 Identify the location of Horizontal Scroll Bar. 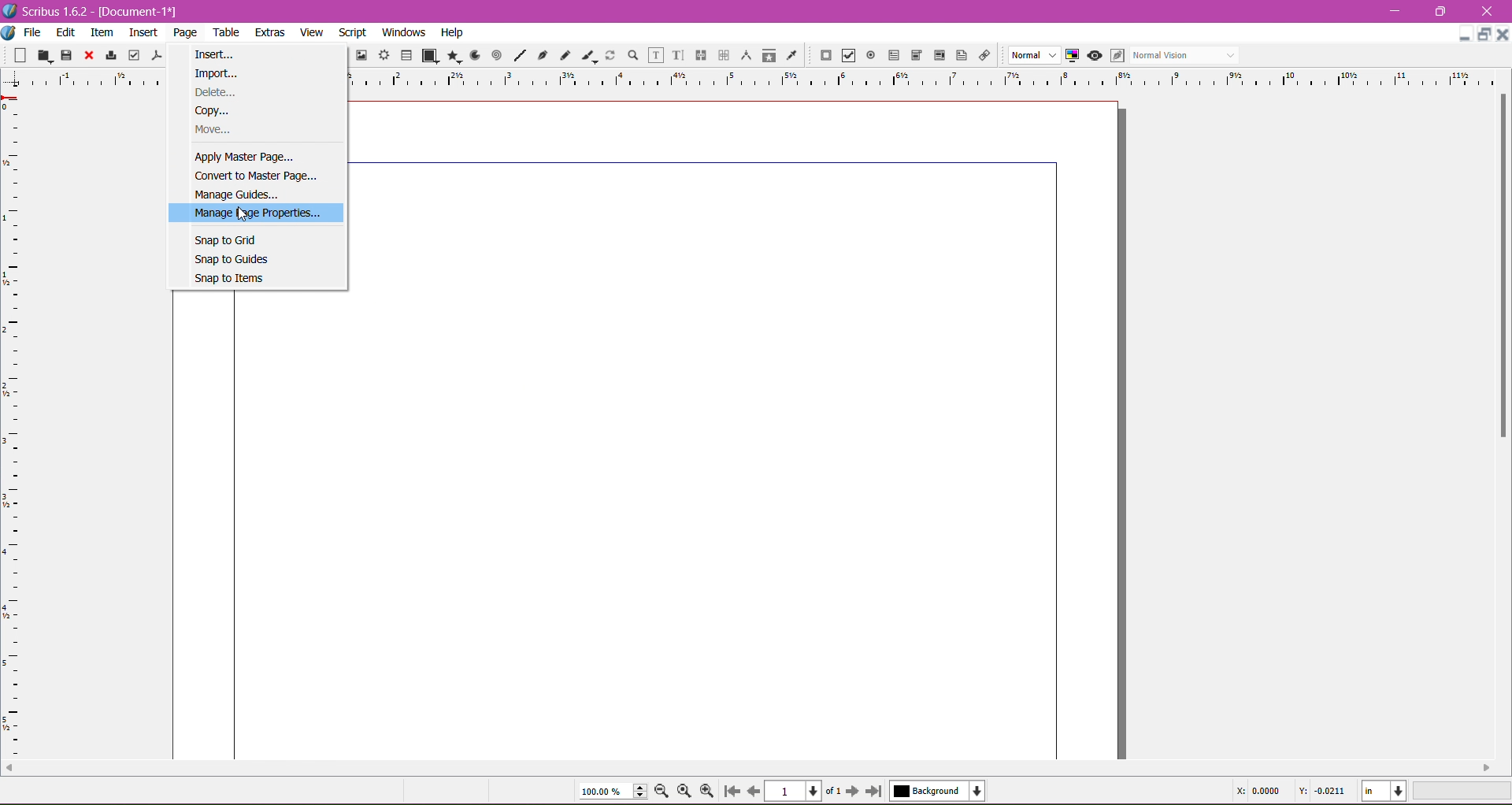
(748, 768).